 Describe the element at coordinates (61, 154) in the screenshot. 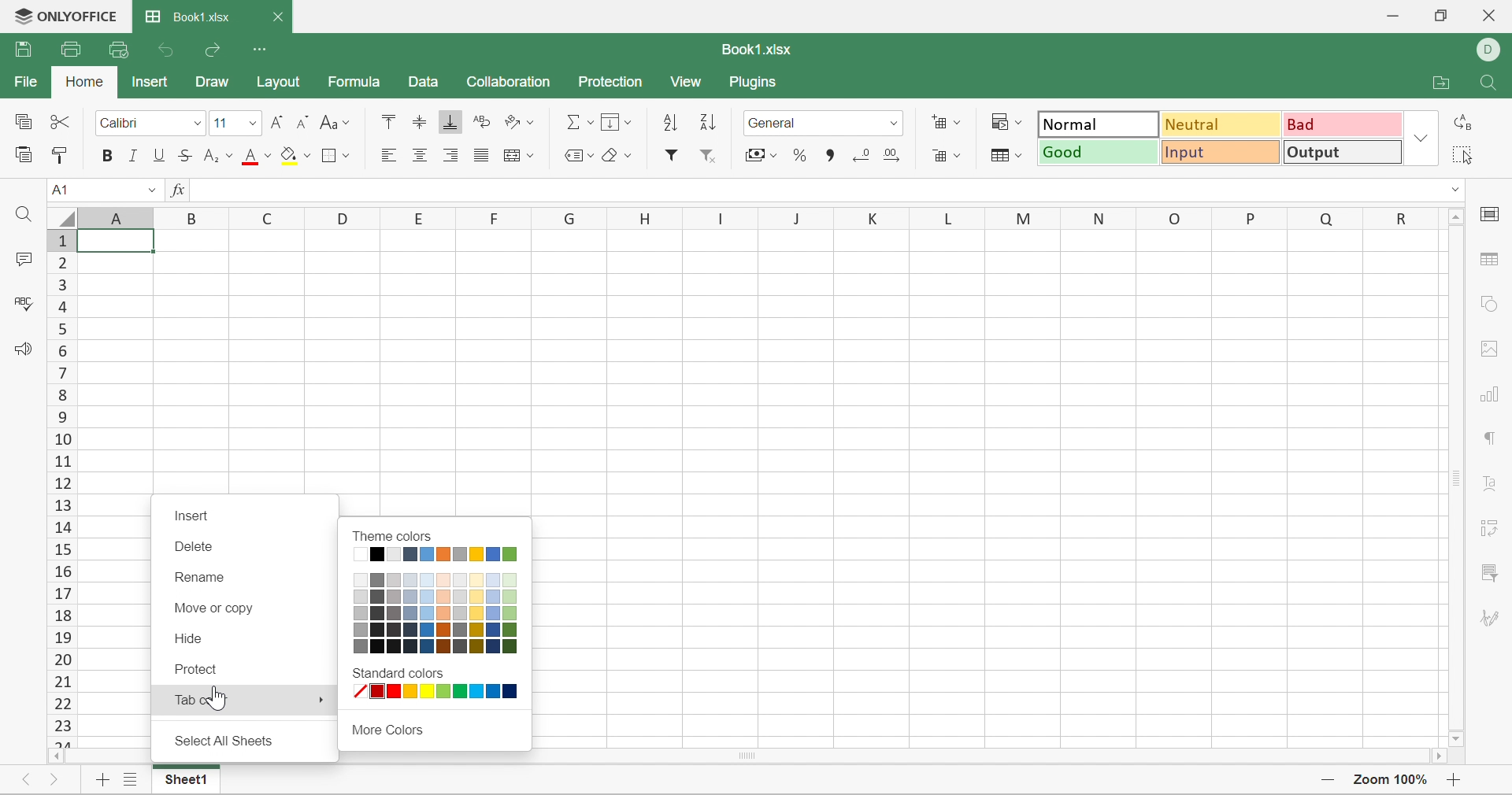

I see `Copy style` at that location.